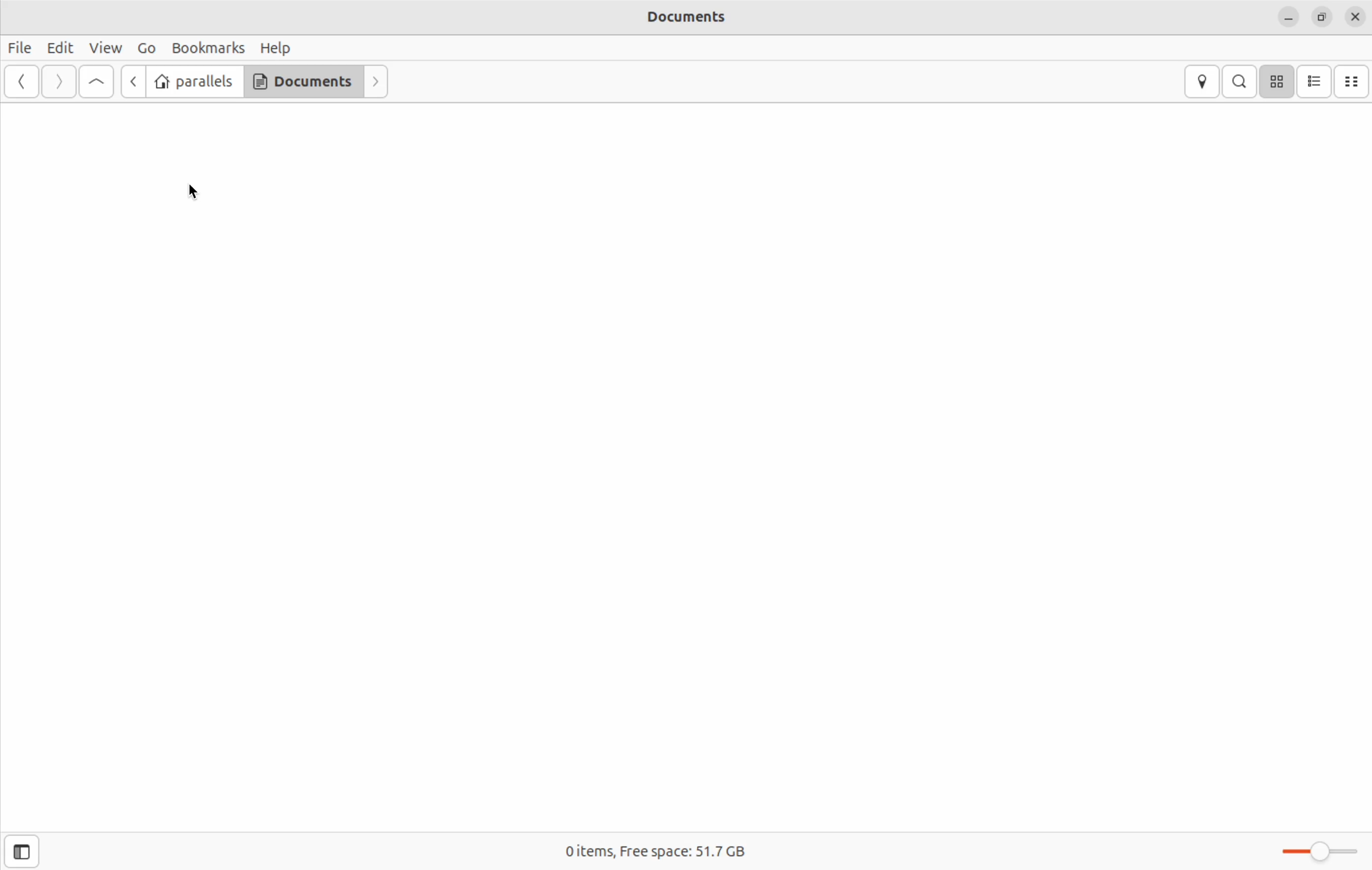  What do you see at coordinates (146, 49) in the screenshot?
I see `Go` at bounding box center [146, 49].